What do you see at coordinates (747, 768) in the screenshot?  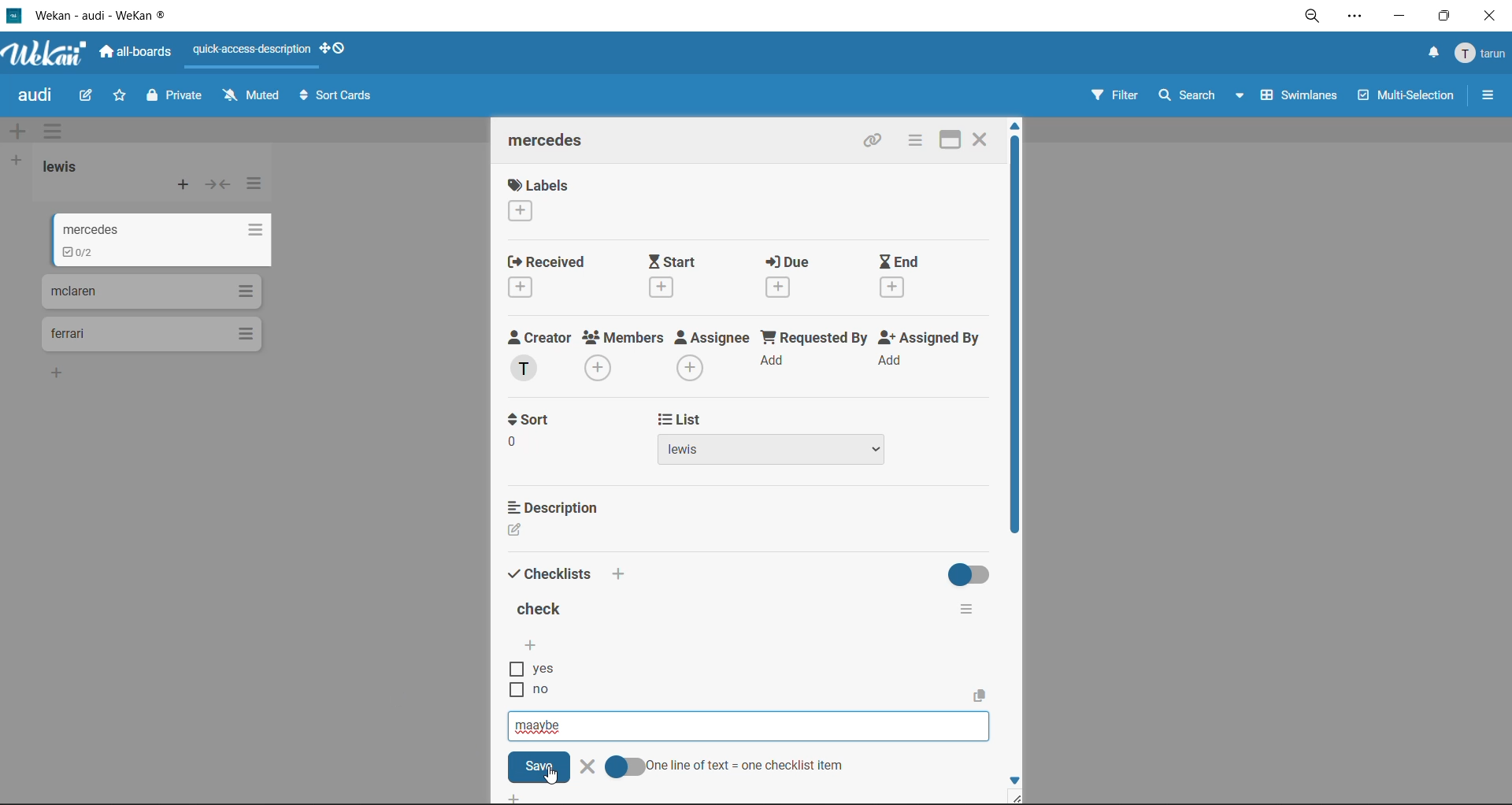 I see `one line of text = one checklist item` at bounding box center [747, 768].